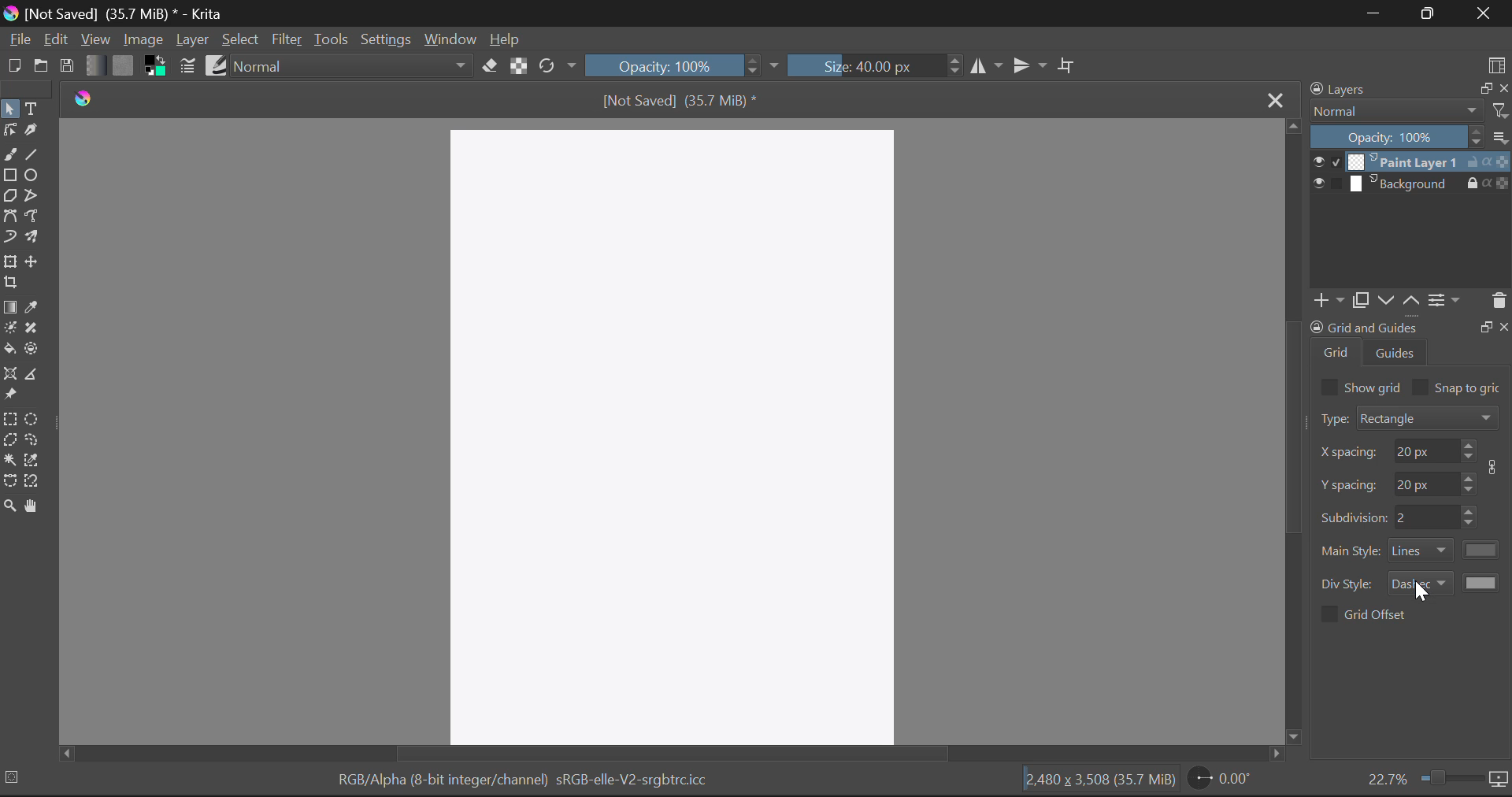  Describe the element at coordinates (217, 65) in the screenshot. I see `Brush Presets` at that location.